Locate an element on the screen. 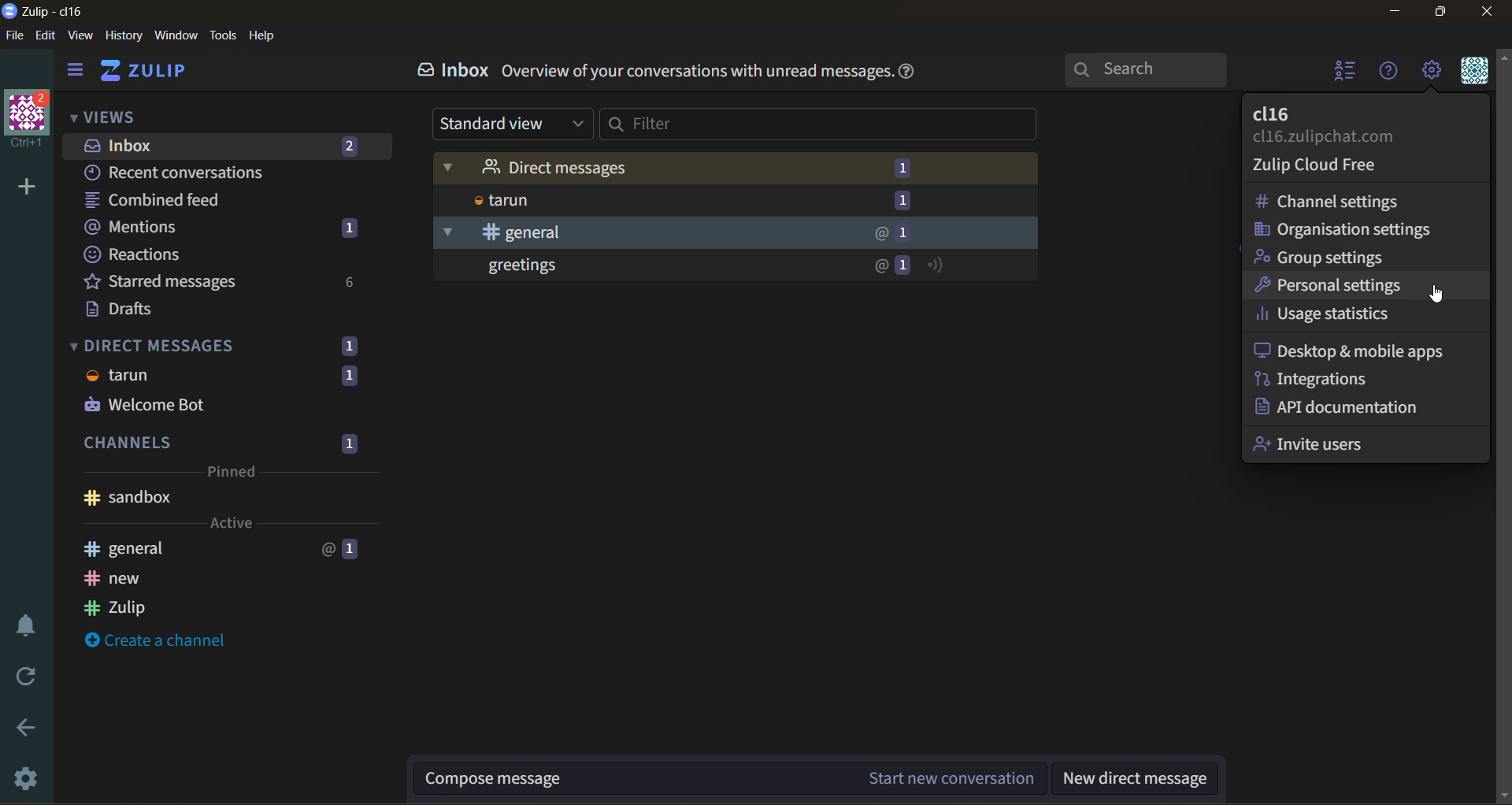 Image resolution: width=1512 pixels, height=805 pixels. maximize is located at coordinates (1440, 15).